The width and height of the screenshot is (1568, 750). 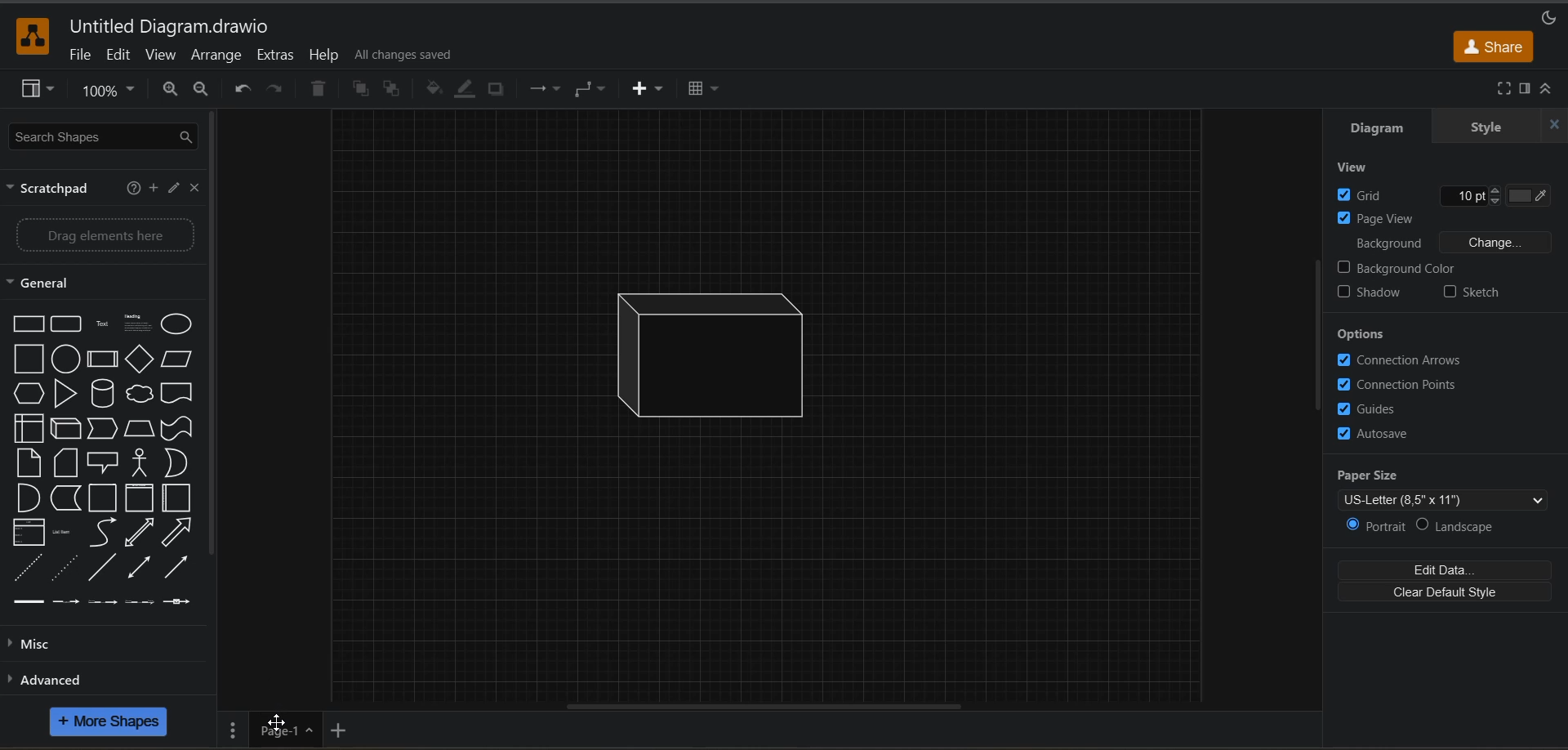 I want to click on page view, so click(x=1439, y=219).